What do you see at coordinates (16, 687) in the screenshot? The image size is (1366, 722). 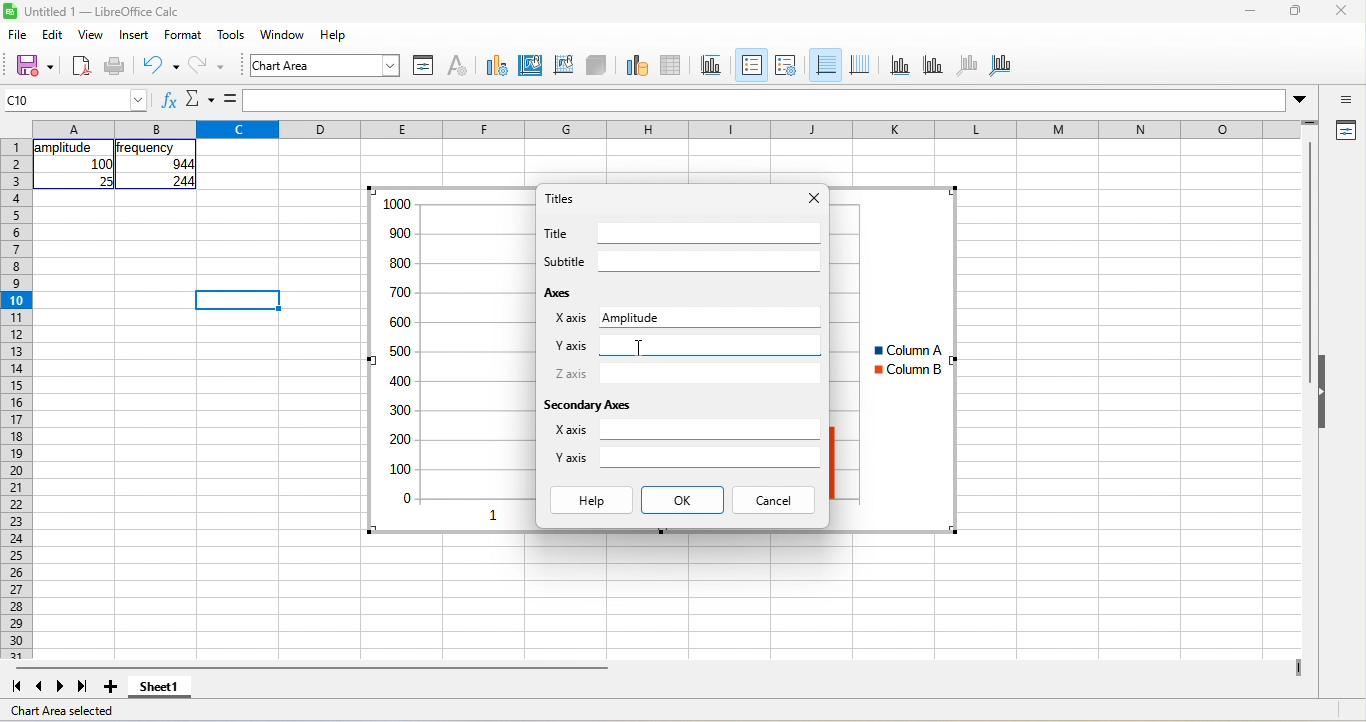 I see `first sheet` at bounding box center [16, 687].